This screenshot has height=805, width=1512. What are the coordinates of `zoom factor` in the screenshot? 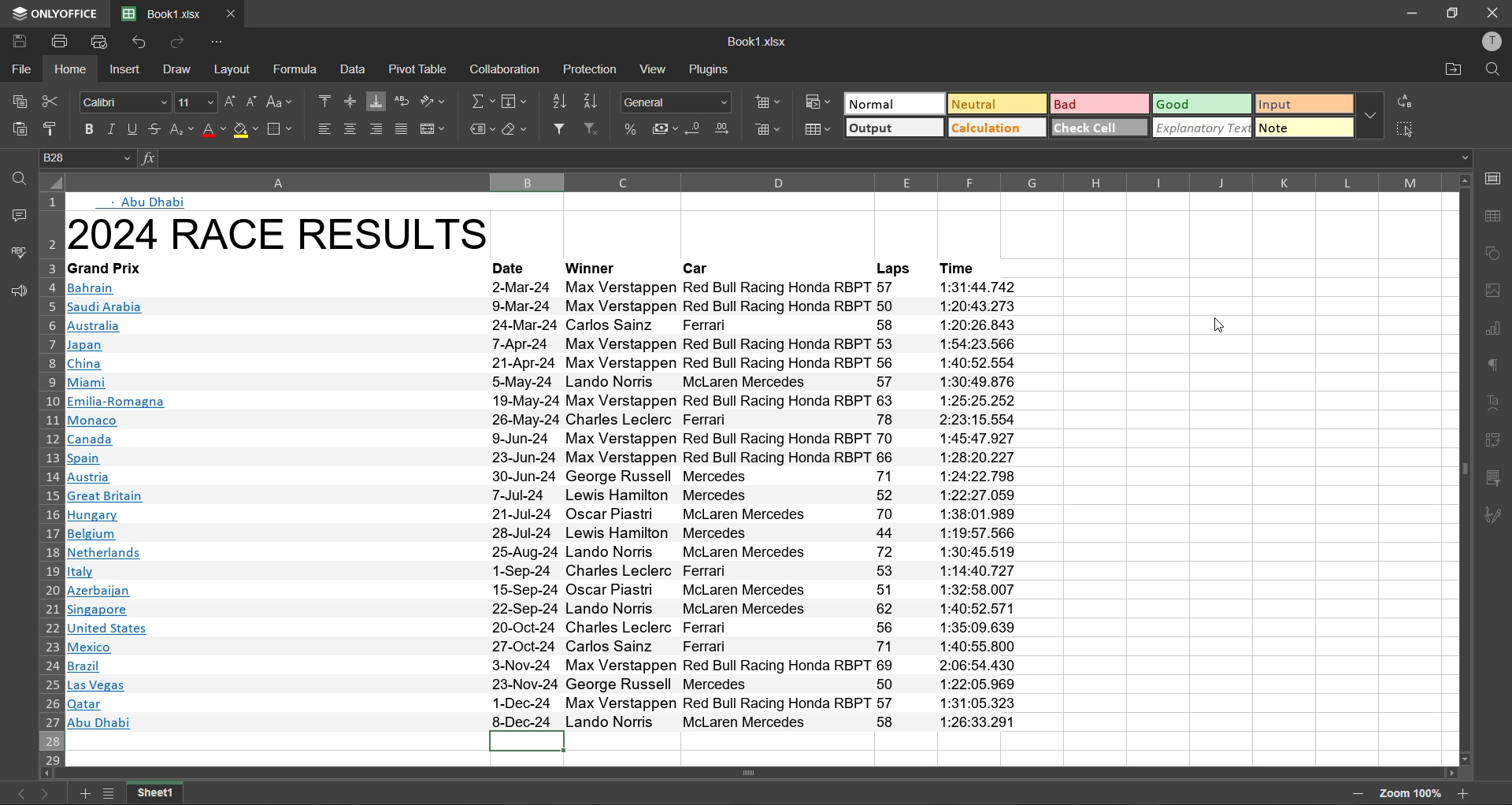 It's located at (1410, 796).